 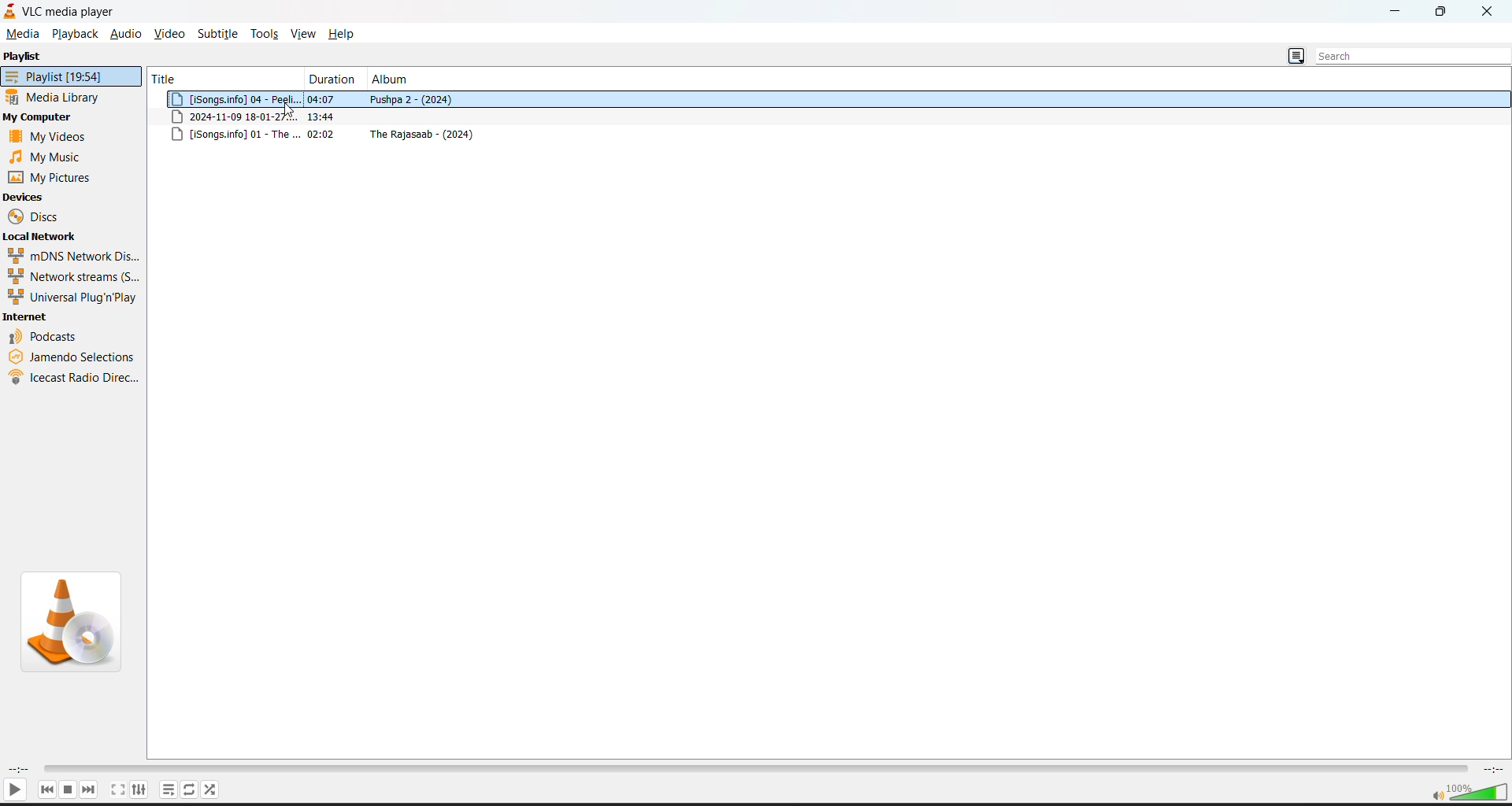 What do you see at coordinates (50, 137) in the screenshot?
I see `videos` at bounding box center [50, 137].